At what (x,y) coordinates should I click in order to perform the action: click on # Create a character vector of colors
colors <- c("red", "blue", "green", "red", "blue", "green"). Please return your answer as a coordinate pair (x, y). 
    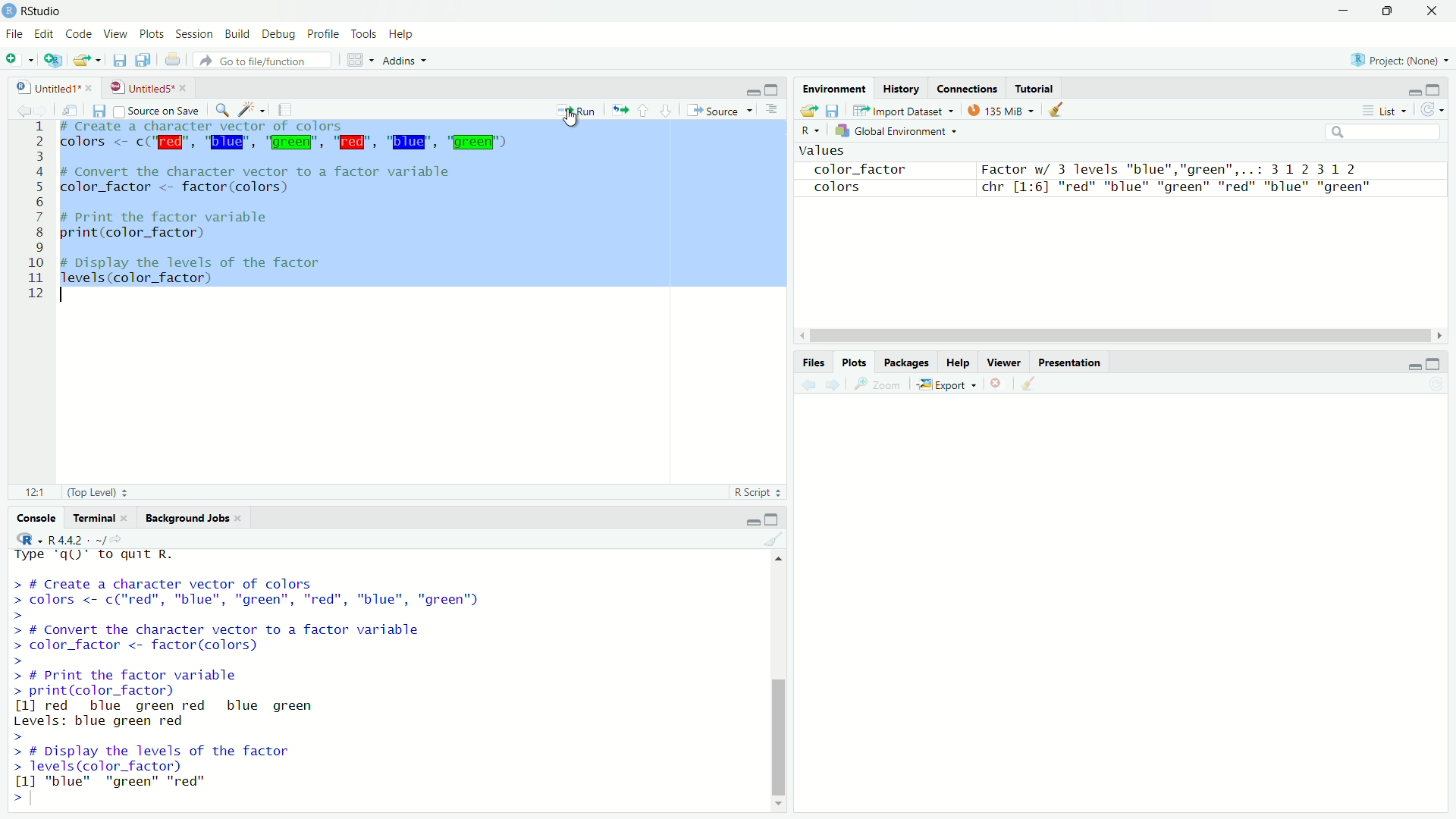
    Looking at the image, I should click on (267, 590).